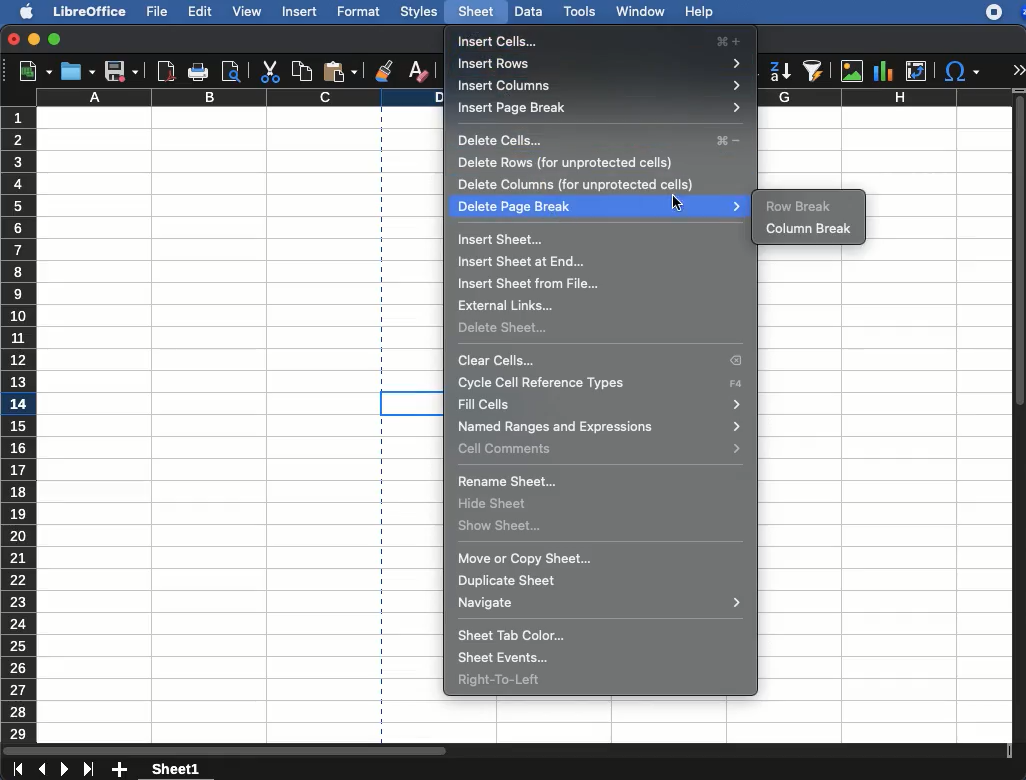 Image resolution: width=1026 pixels, height=780 pixels. What do you see at coordinates (502, 240) in the screenshot?
I see `insert sheet` at bounding box center [502, 240].